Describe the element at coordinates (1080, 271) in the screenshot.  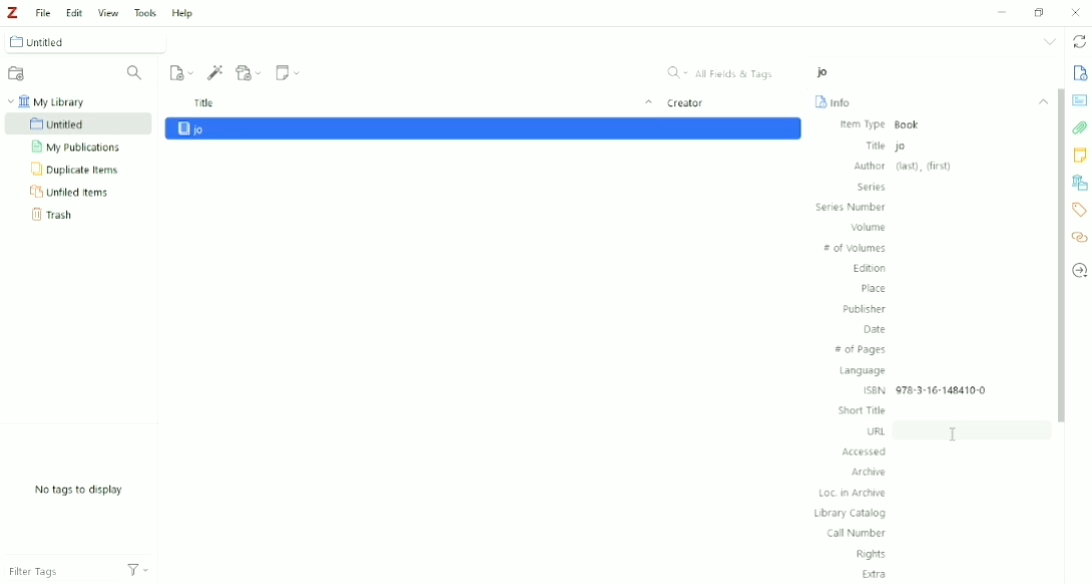
I see `Locate` at that location.